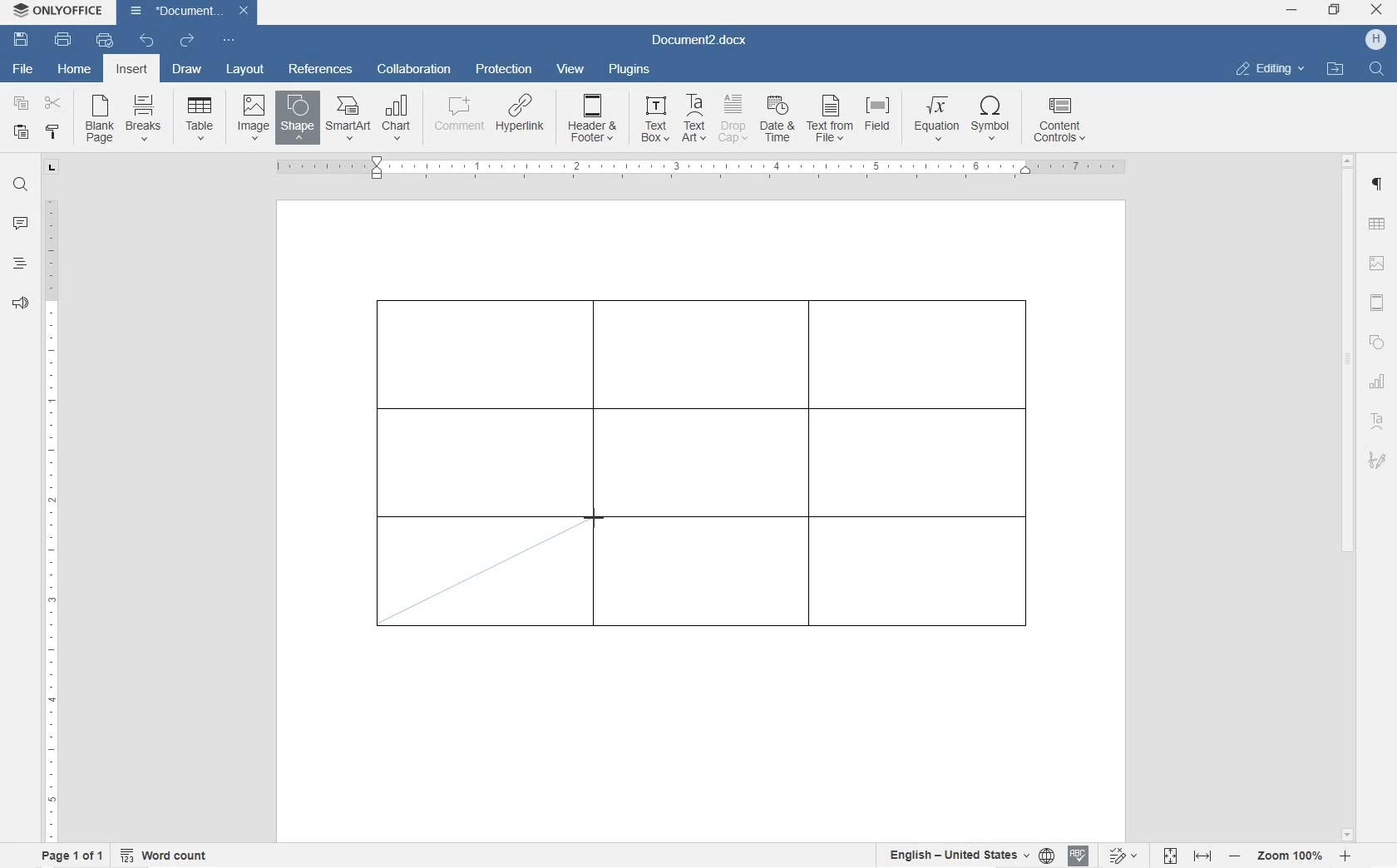 The width and height of the screenshot is (1397, 868). Describe the element at coordinates (1127, 856) in the screenshot. I see `track changes` at that location.